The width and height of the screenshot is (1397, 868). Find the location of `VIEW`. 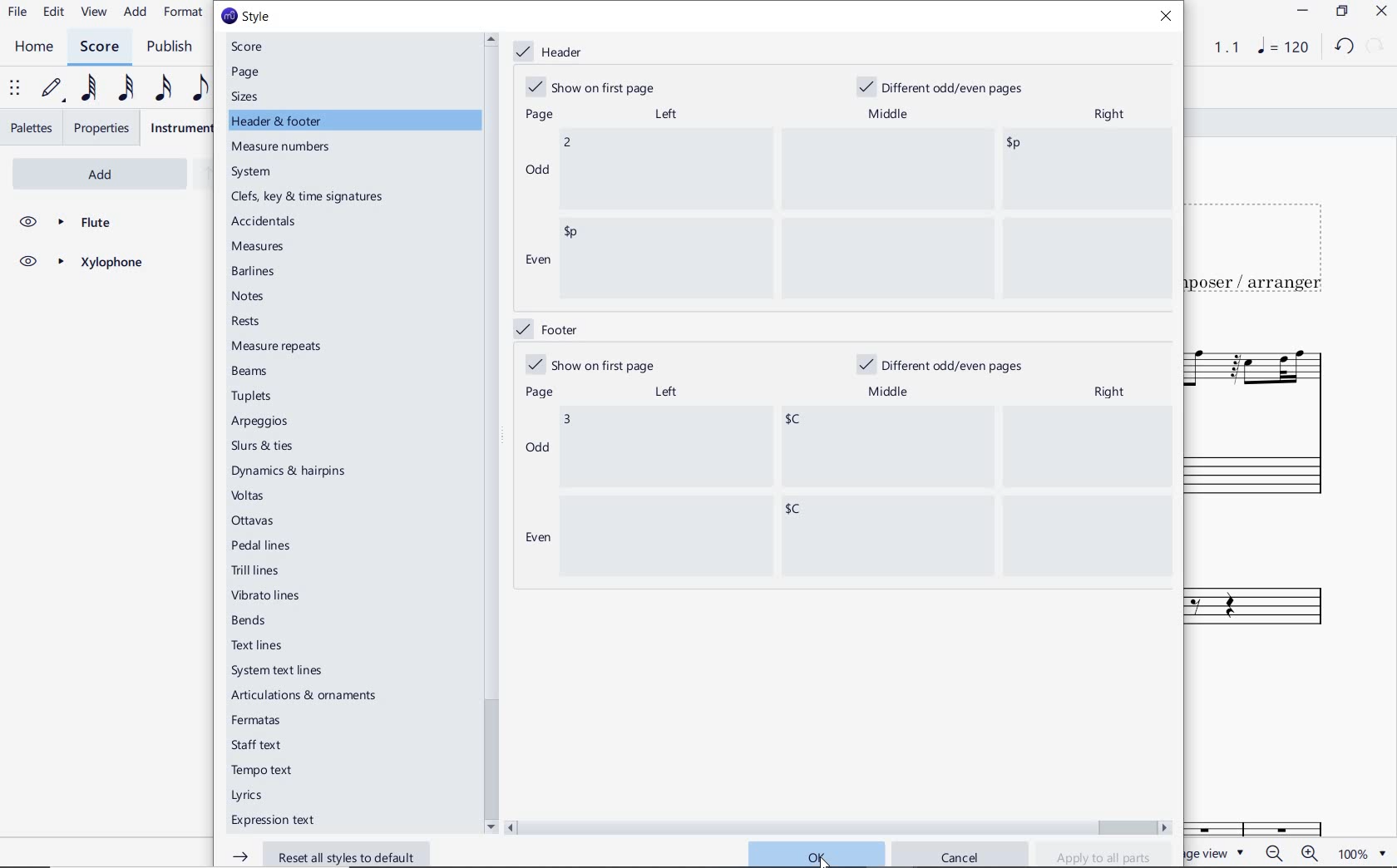

VIEW is located at coordinates (95, 12).